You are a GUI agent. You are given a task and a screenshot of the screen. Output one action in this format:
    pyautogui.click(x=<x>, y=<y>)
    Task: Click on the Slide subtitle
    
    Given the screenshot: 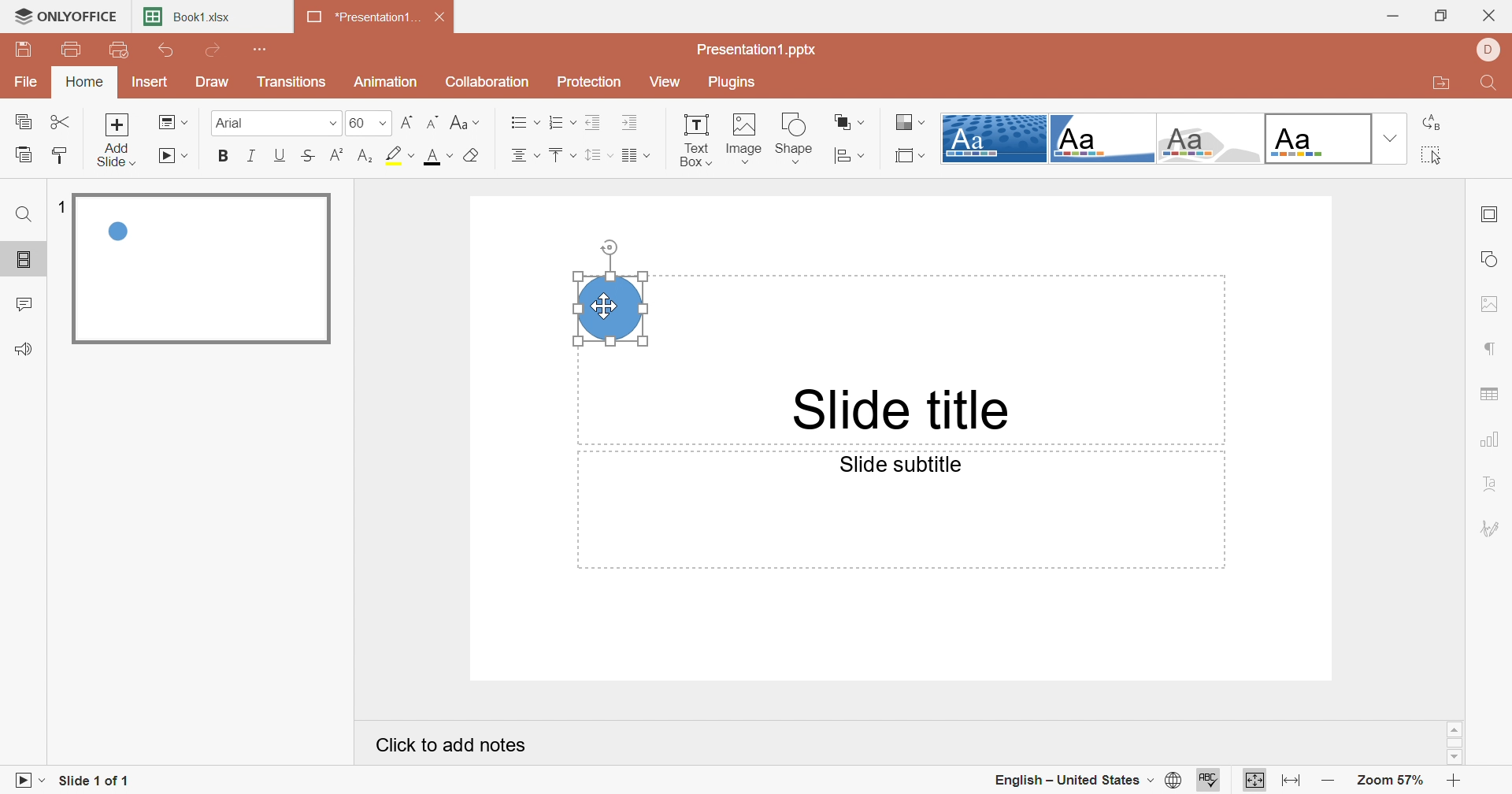 What is the action you would take?
    pyautogui.click(x=903, y=464)
    